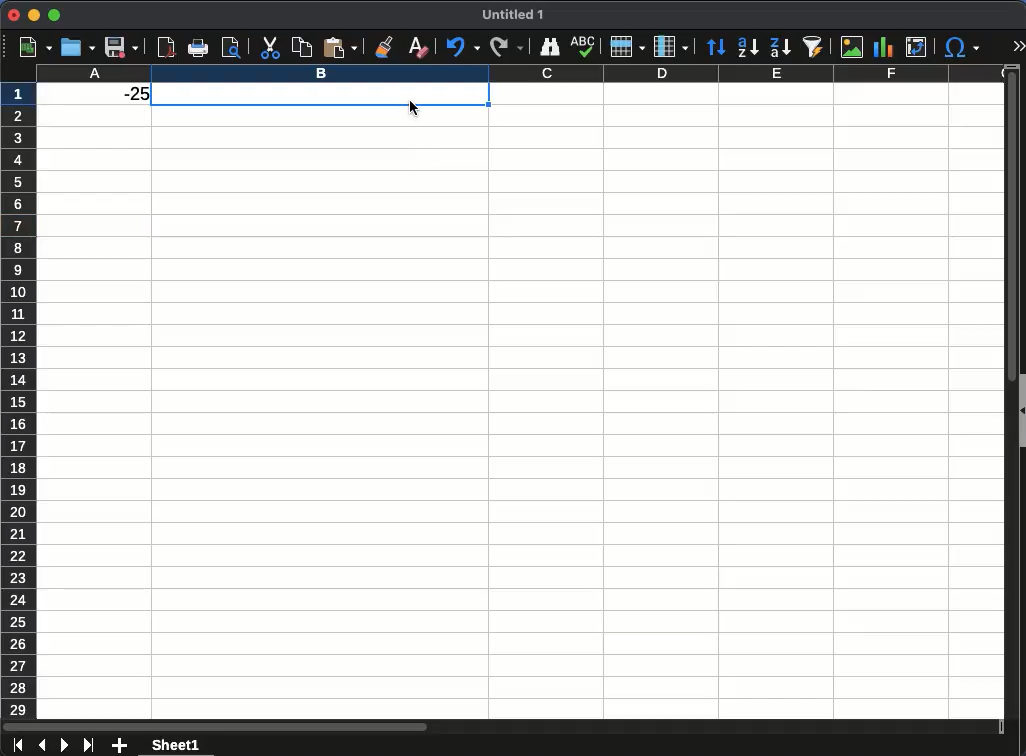  What do you see at coordinates (718, 48) in the screenshot?
I see `sort` at bounding box center [718, 48].